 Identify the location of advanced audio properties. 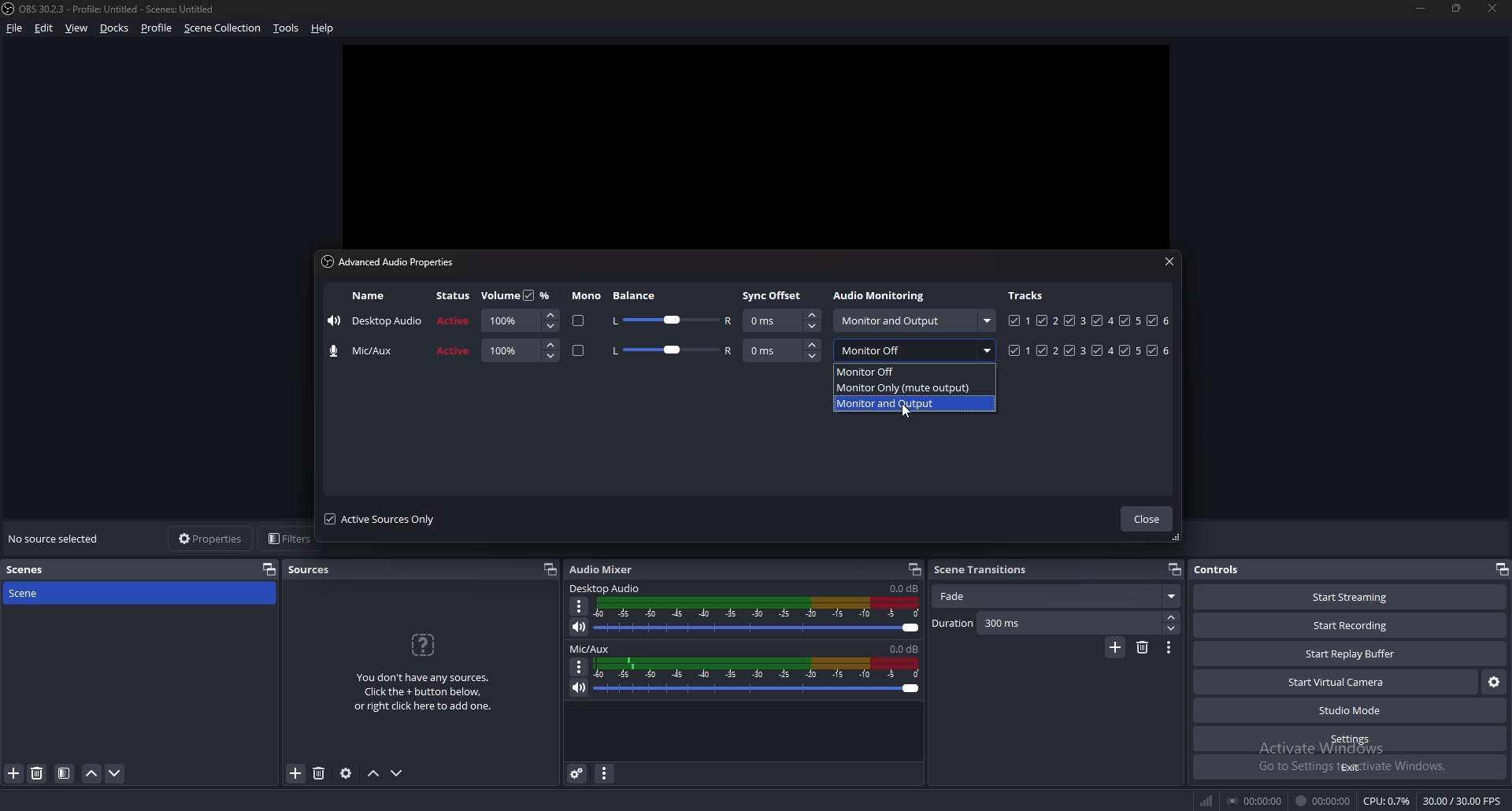
(579, 774).